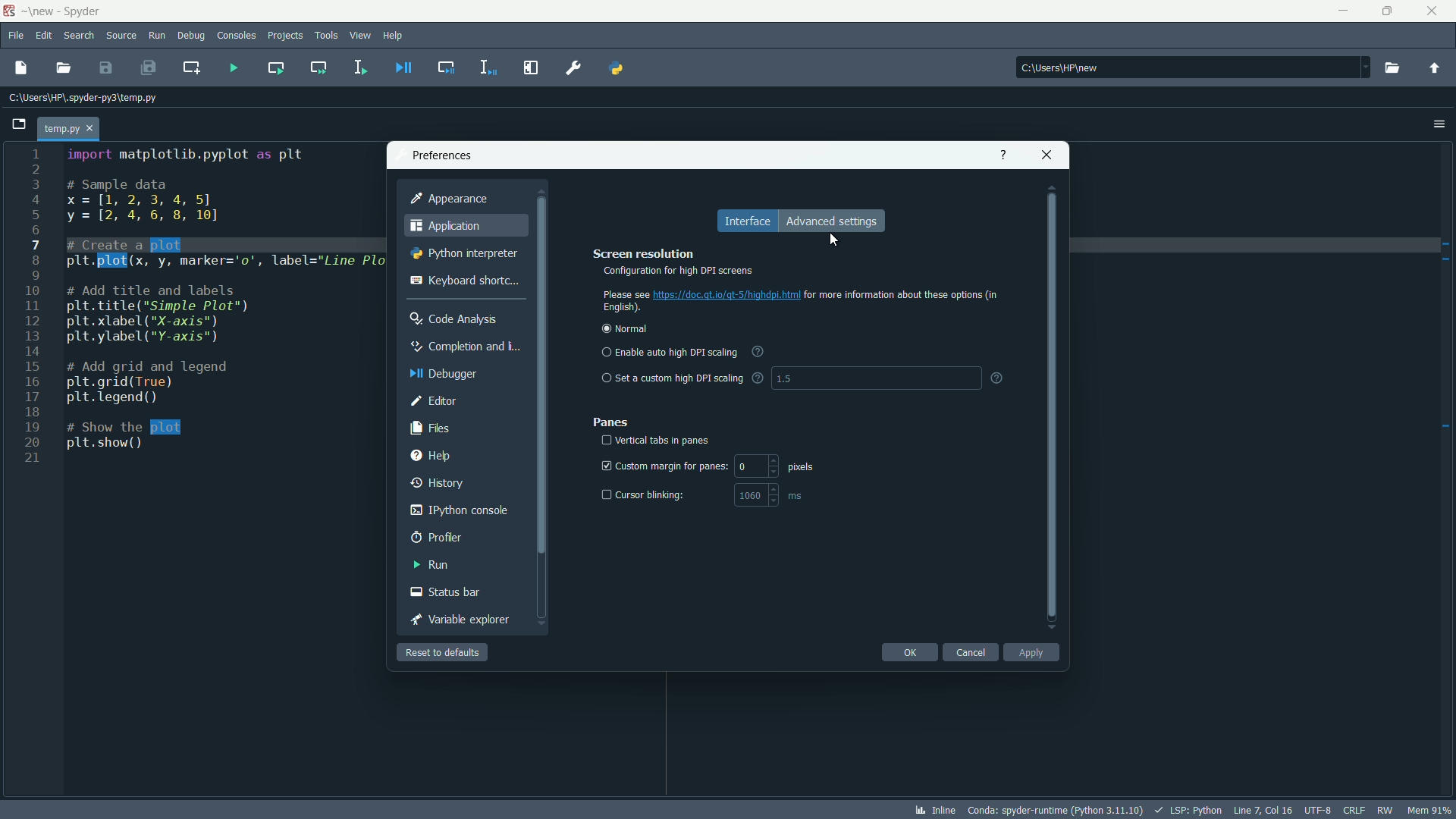 This screenshot has width=1456, height=819. Describe the element at coordinates (444, 374) in the screenshot. I see `debugger` at that location.